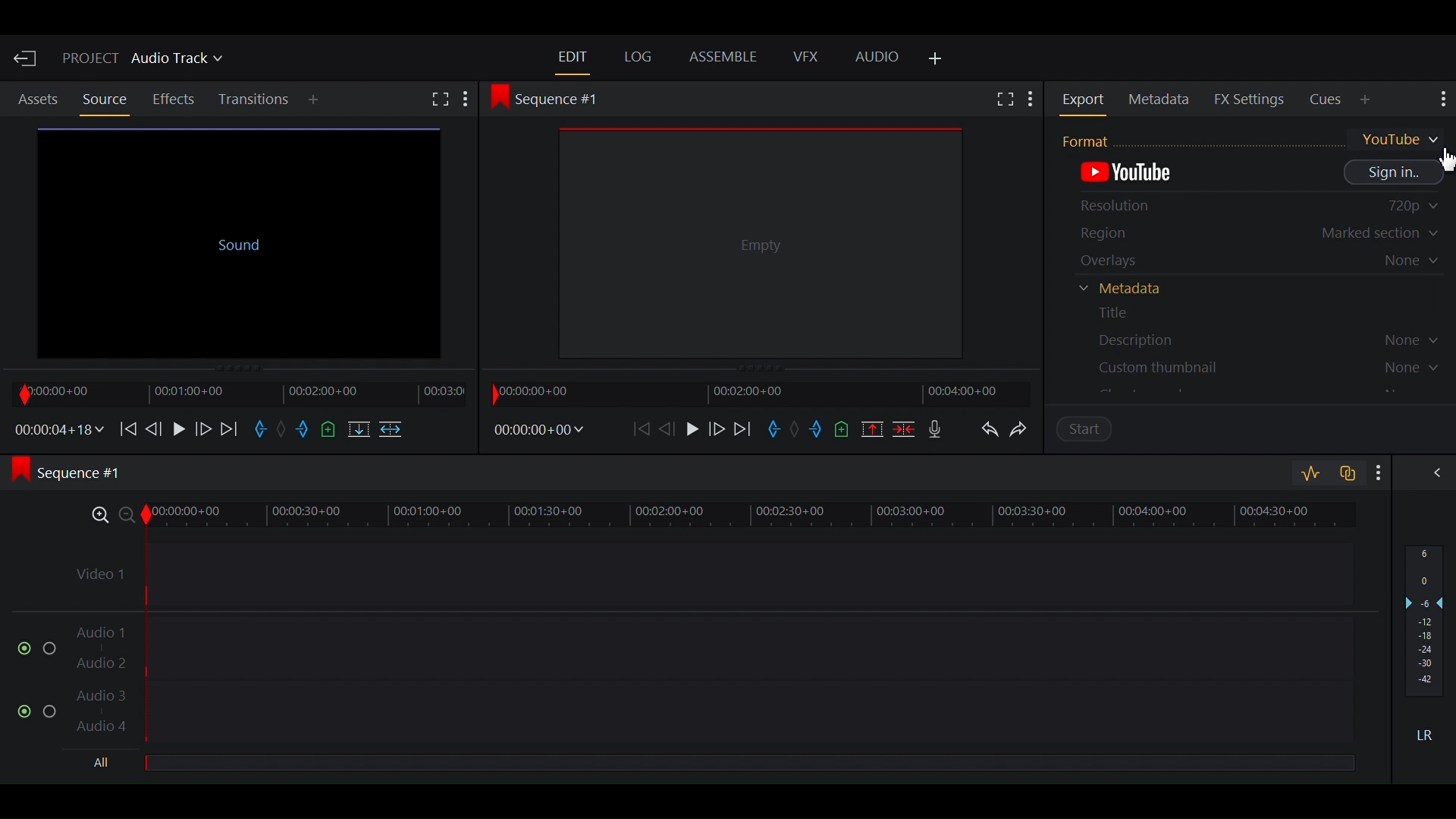  What do you see at coordinates (989, 432) in the screenshot?
I see `Undo` at bounding box center [989, 432].